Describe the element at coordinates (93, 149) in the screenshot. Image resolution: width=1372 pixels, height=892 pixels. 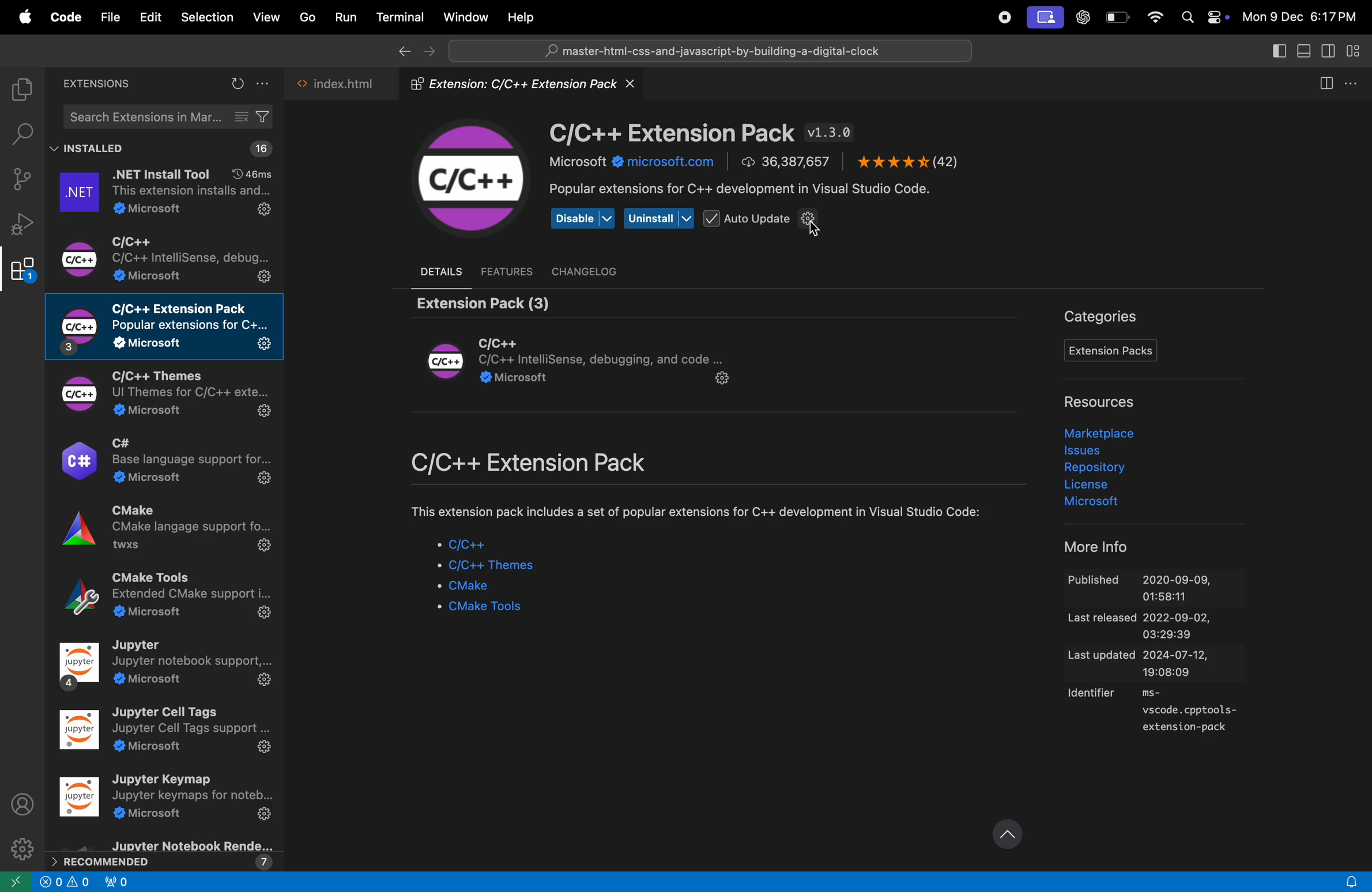
I see `installed` at that location.